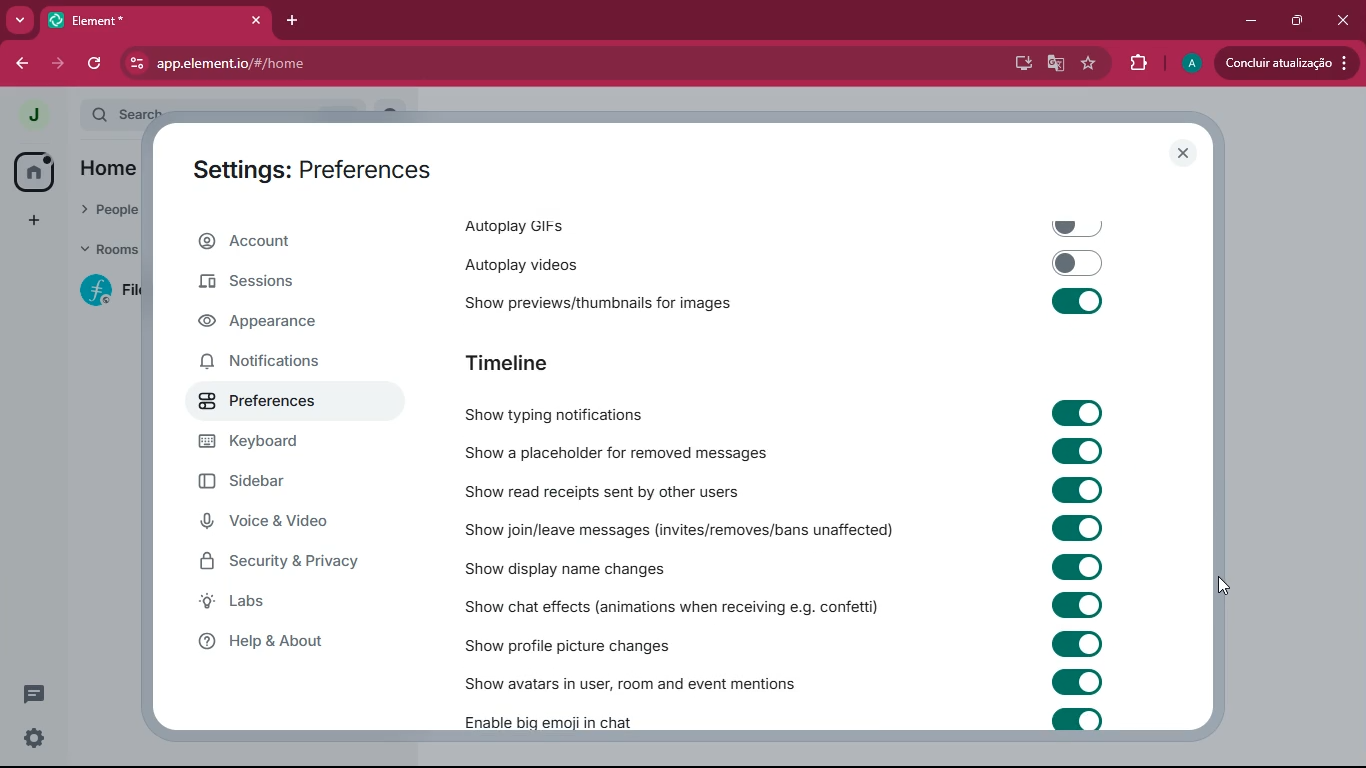  What do you see at coordinates (1219, 585) in the screenshot?
I see `cursor` at bounding box center [1219, 585].